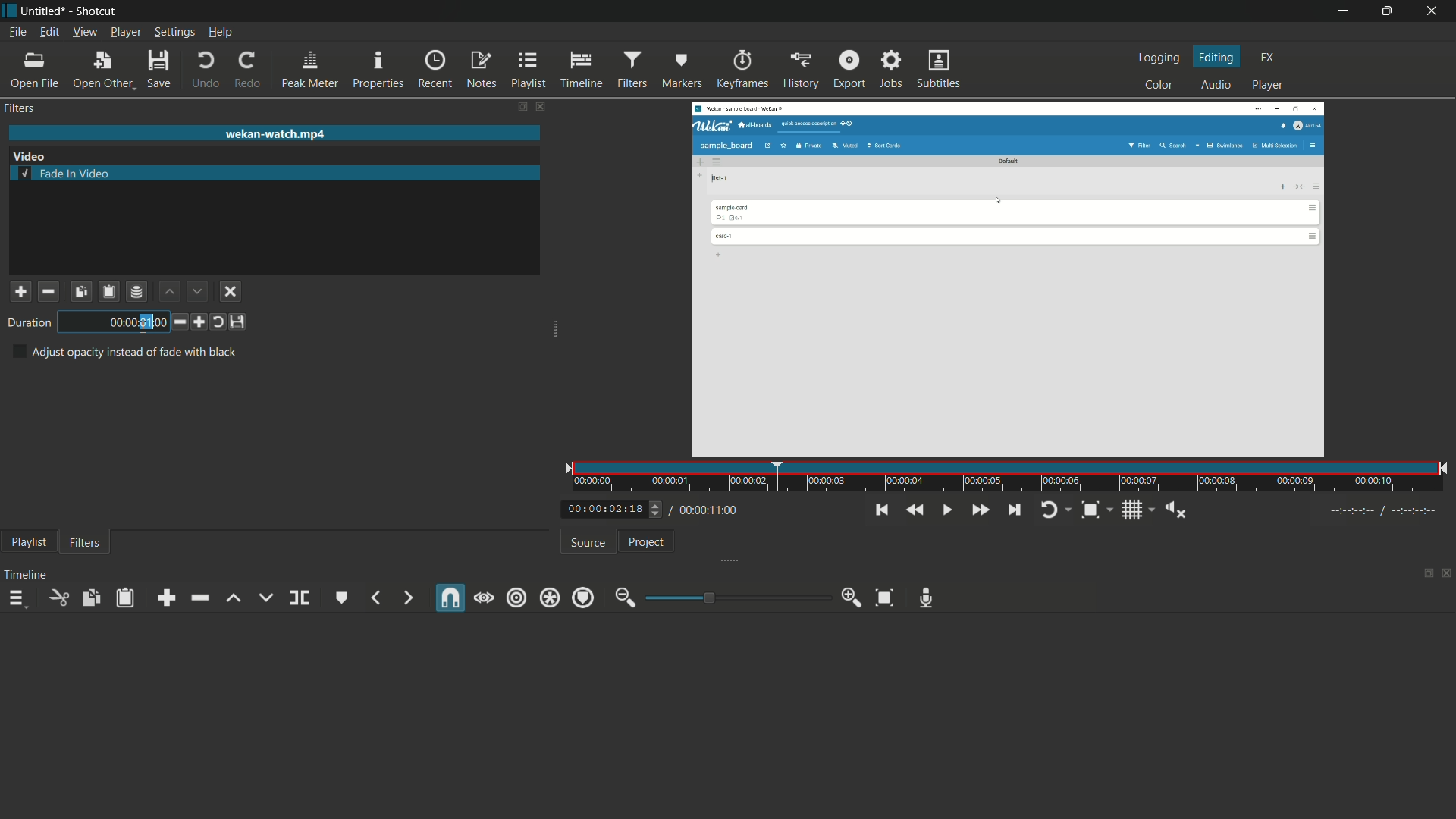 Image resolution: width=1456 pixels, height=819 pixels. Describe the element at coordinates (218, 322) in the screenshot. I see `restore to default` at that location.